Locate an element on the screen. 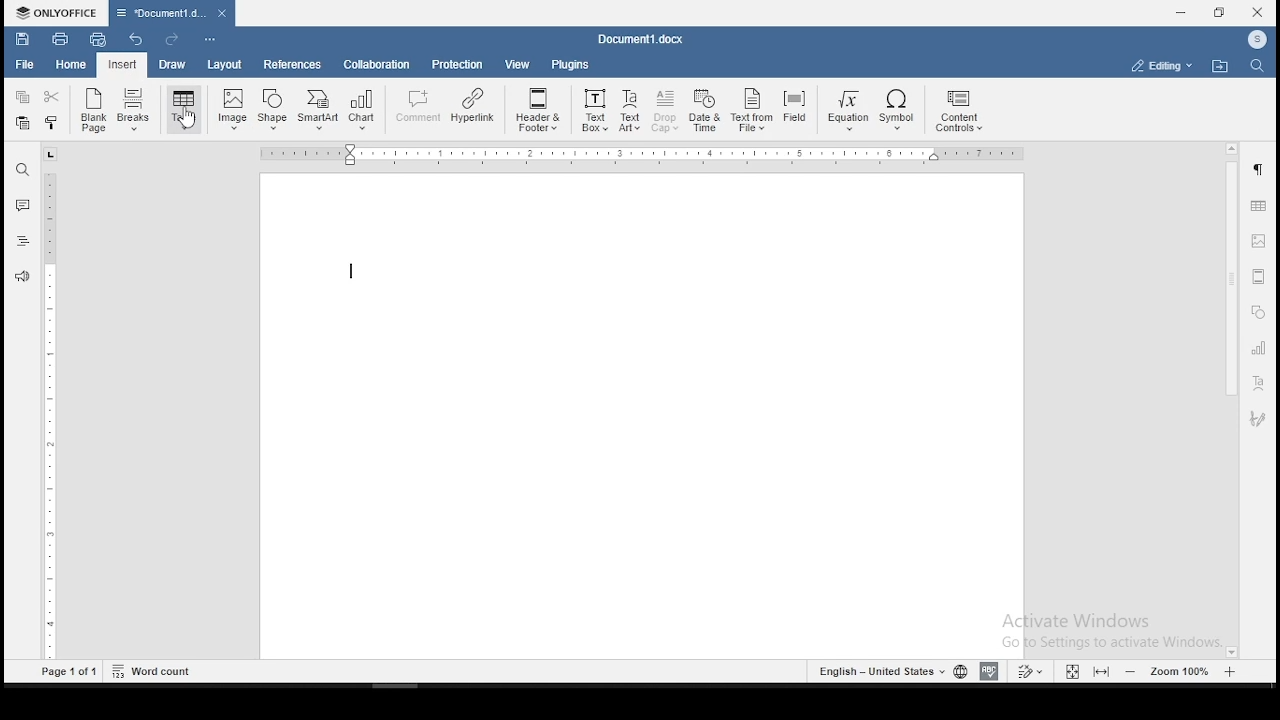 The image size is (1280, 720). blank page is located at coordinates (91, 112).